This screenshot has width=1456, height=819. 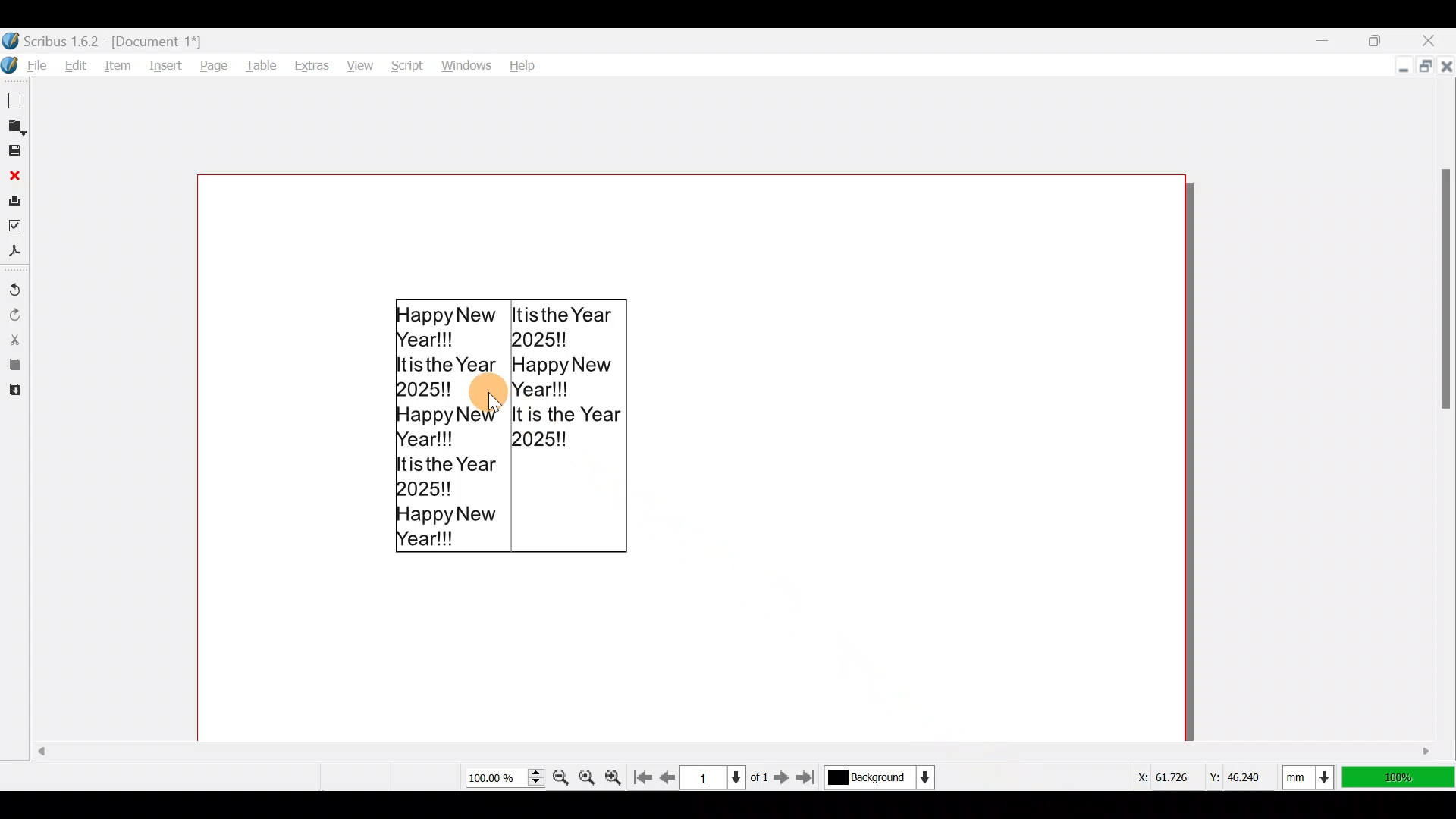 What do you see at coordinates (467, 61) in the screenshot?
I see `Windows` at bounding box center [467, 61].